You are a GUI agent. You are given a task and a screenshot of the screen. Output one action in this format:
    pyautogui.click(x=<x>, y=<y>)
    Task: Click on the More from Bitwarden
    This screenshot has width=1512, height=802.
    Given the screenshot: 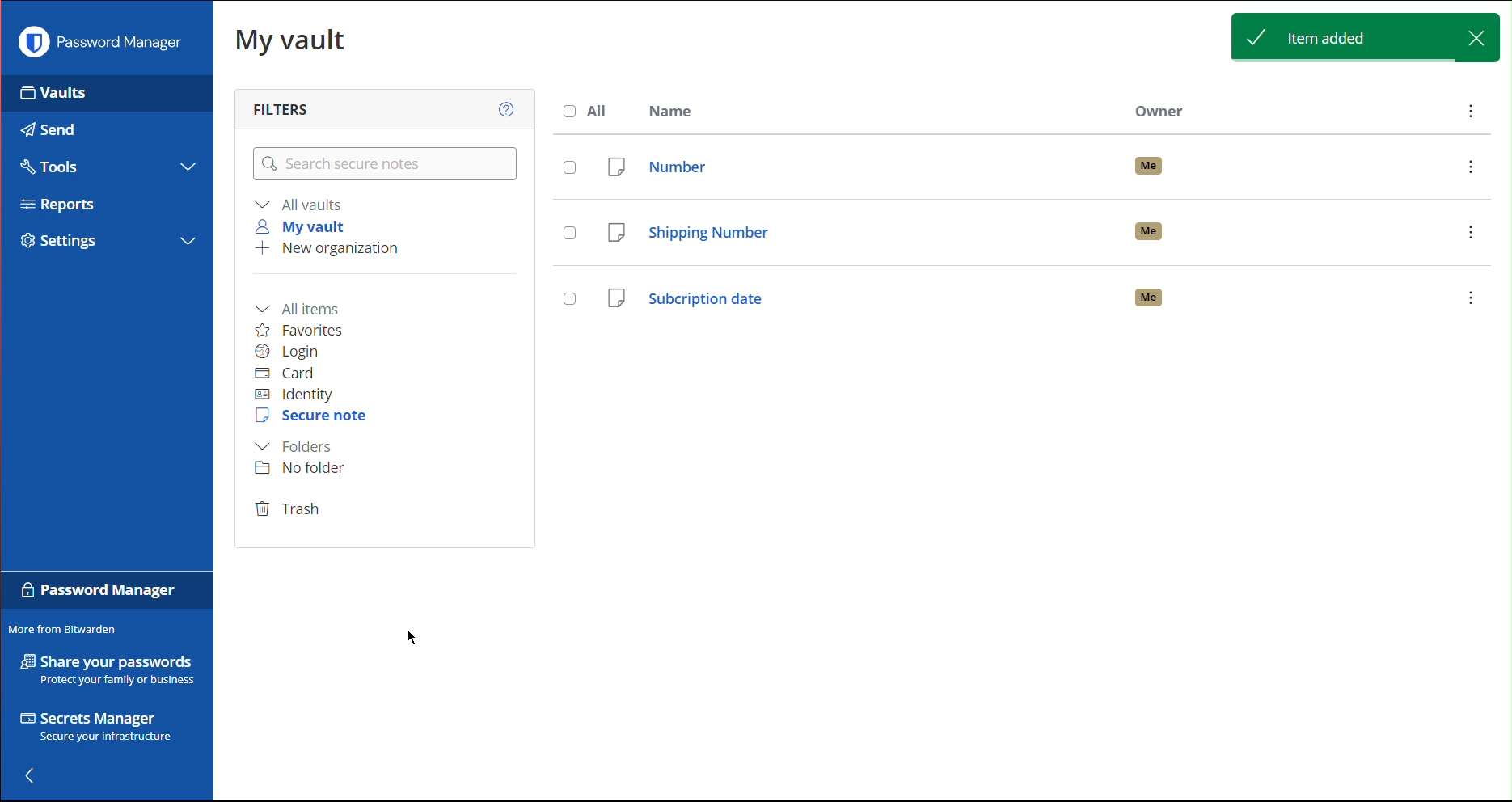 What is the action you would take?
    pyautogui.click(x=71, y=630)
    